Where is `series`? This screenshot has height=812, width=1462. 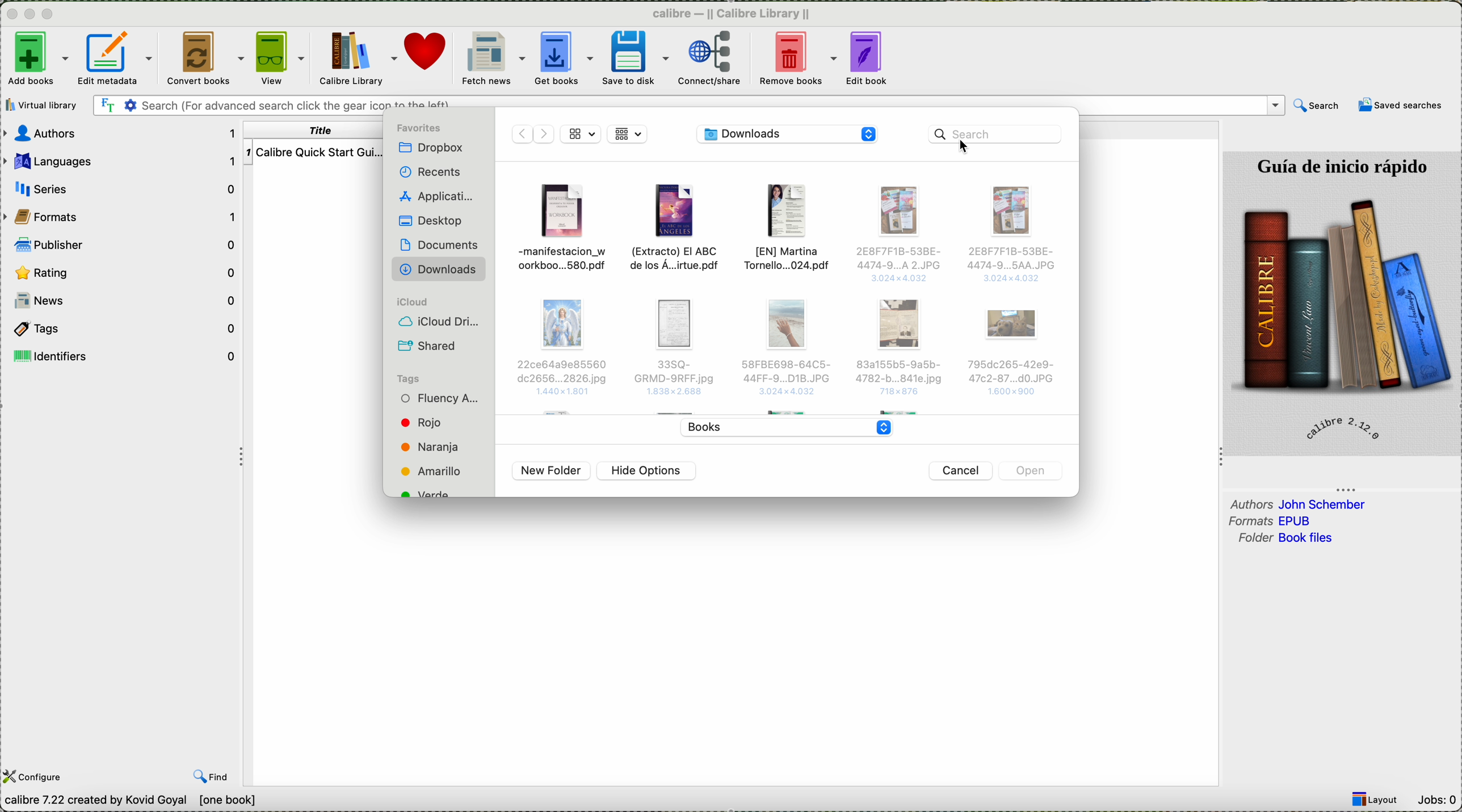 series is located at coordinates (123, 188).